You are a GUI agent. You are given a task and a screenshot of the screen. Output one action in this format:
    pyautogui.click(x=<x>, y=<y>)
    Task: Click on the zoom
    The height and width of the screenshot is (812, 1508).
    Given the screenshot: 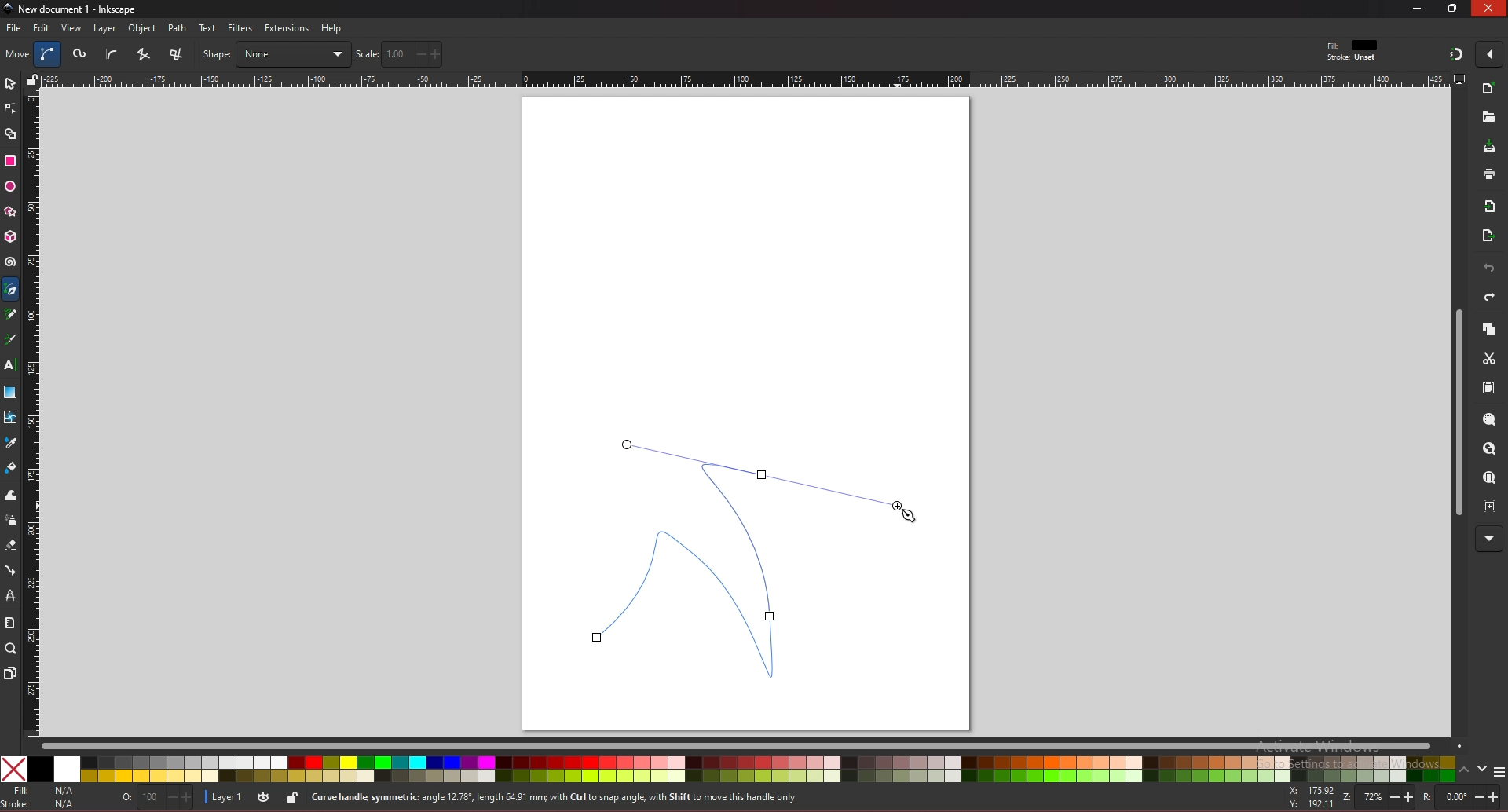 What is the action you would take?
    pyautogui.click(x=1375, y=796)
    